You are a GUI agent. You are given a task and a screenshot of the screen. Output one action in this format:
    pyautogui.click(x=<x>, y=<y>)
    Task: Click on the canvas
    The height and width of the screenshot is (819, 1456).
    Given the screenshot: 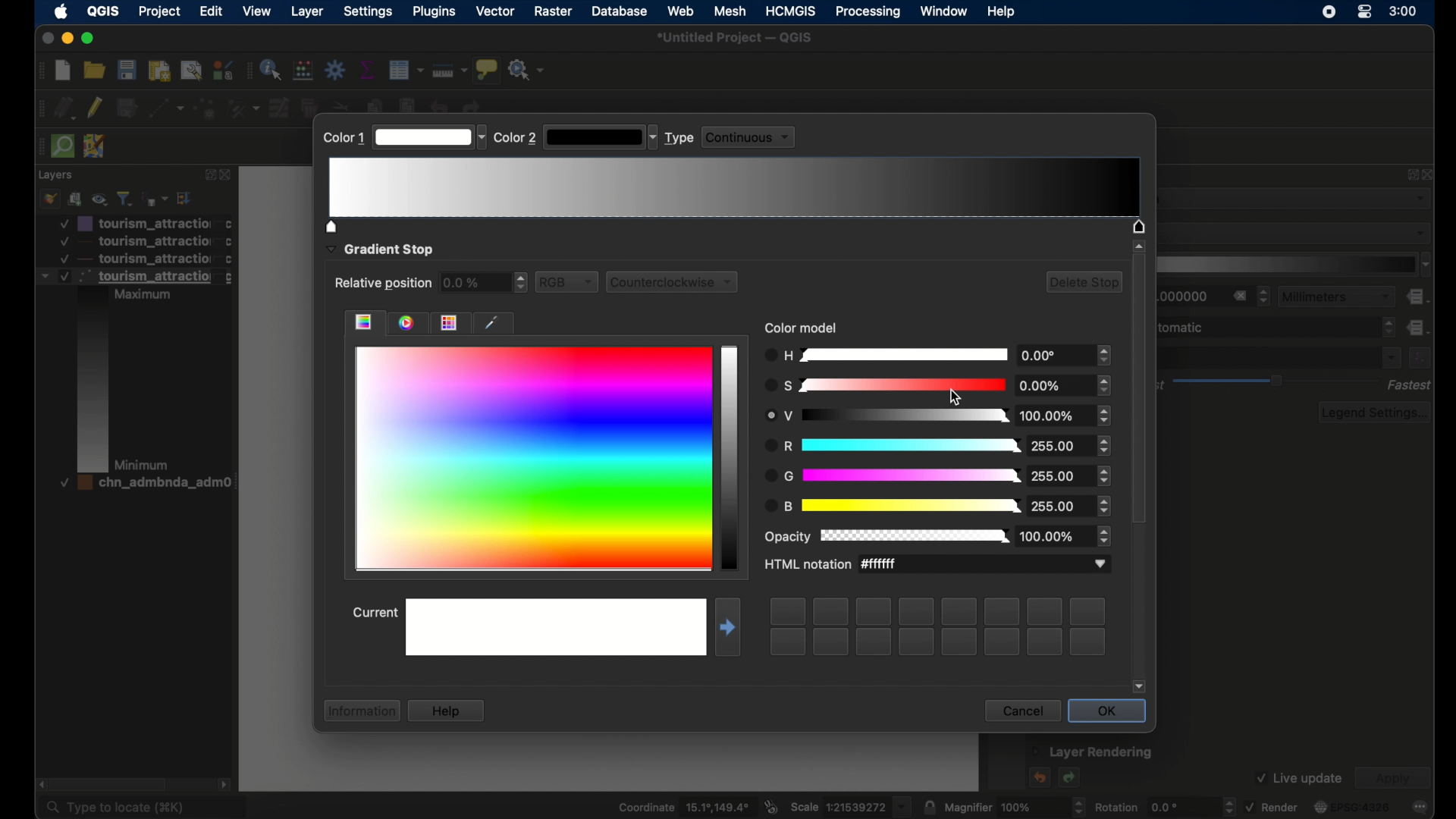 What is the action you would take?
    pyautogui.click(x=278, y=450)
    